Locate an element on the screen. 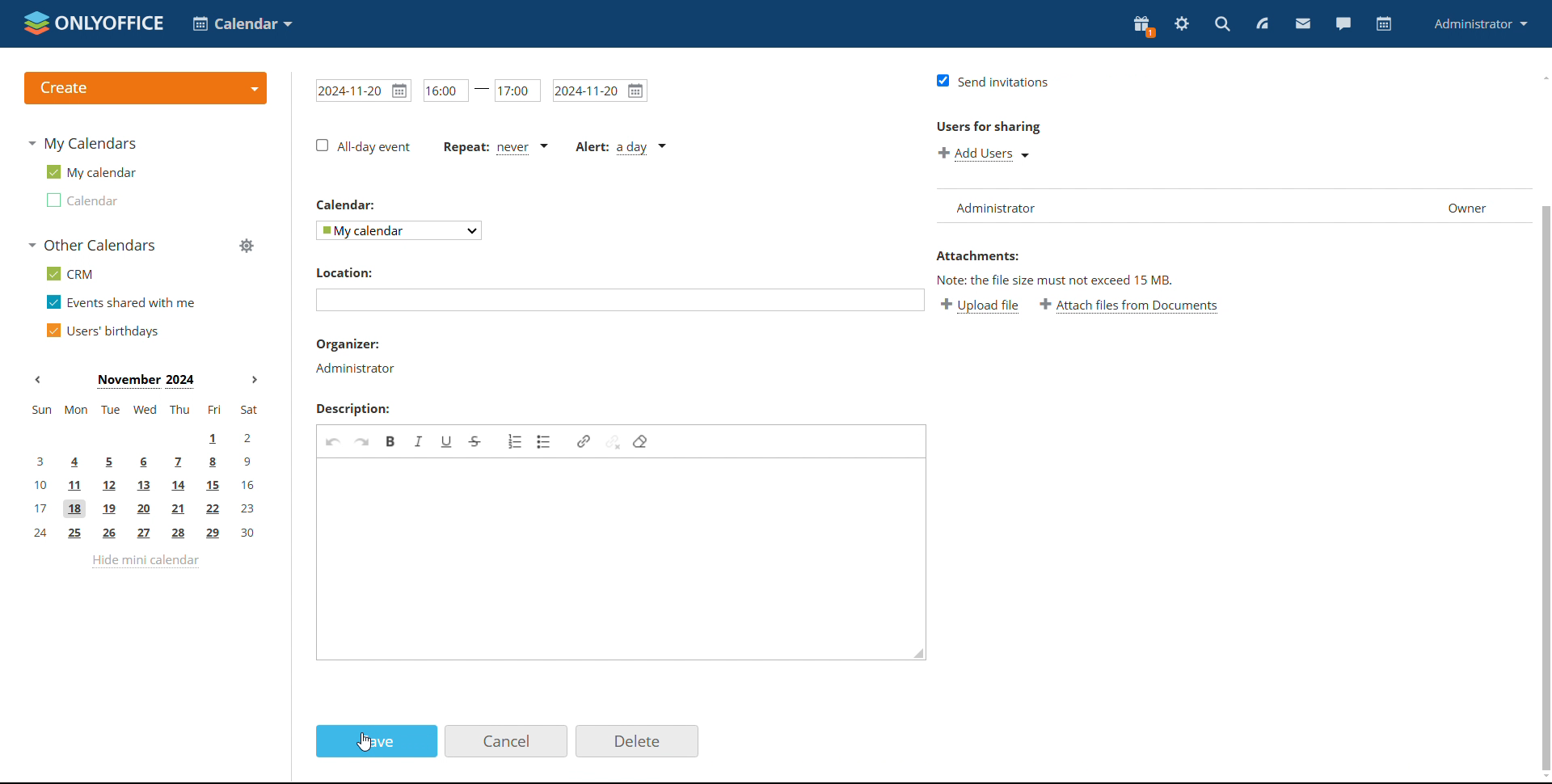  resize box is located at coordinates (918, 653).